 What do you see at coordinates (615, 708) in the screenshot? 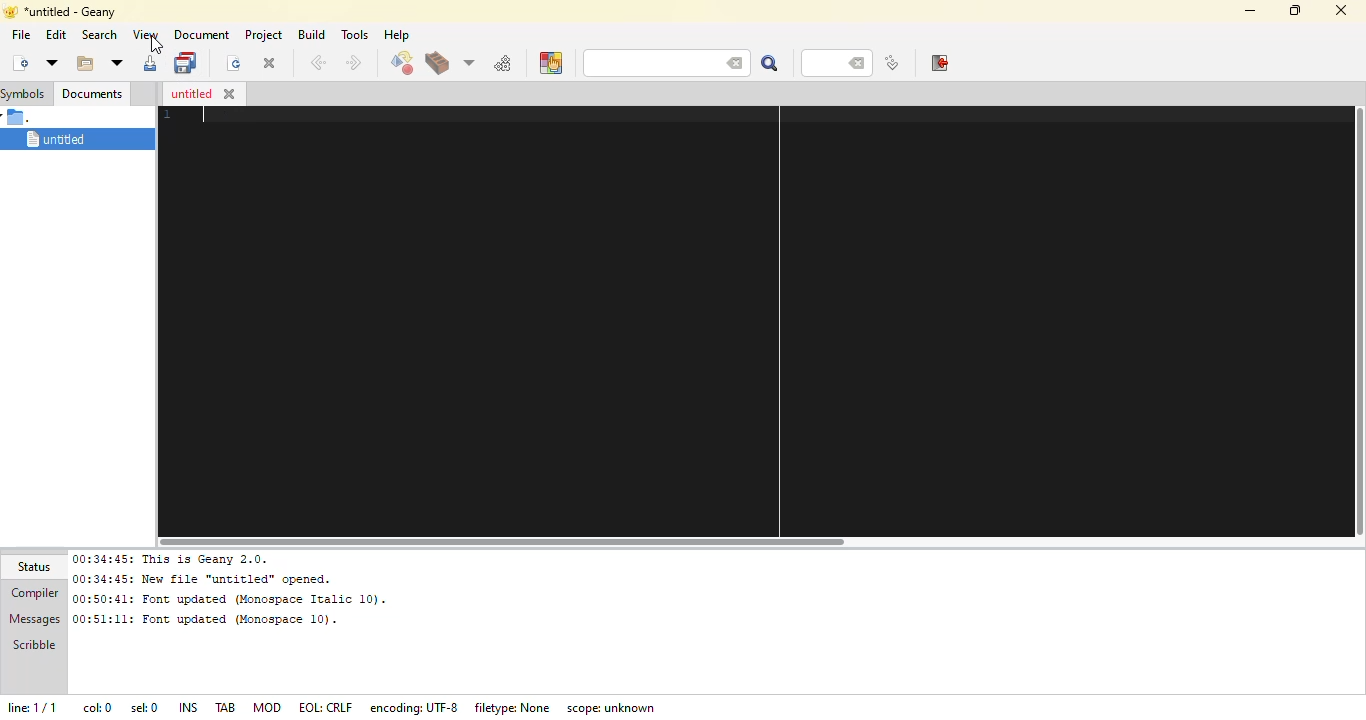
I see `scope: unknown` at bounding box center [615, 708].